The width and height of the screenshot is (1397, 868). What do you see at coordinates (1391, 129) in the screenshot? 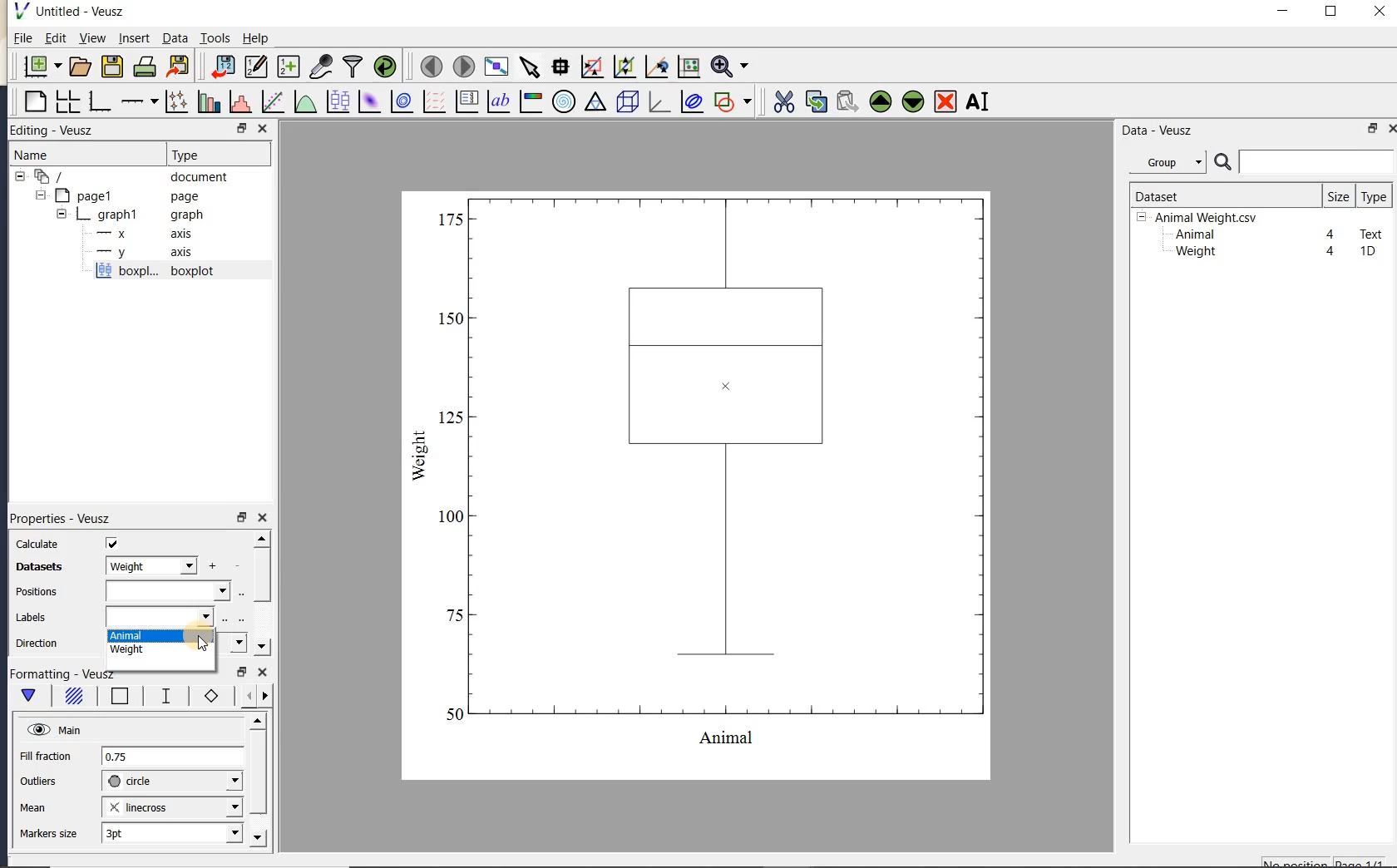
I see `close` at bounding box center [1391, 129].